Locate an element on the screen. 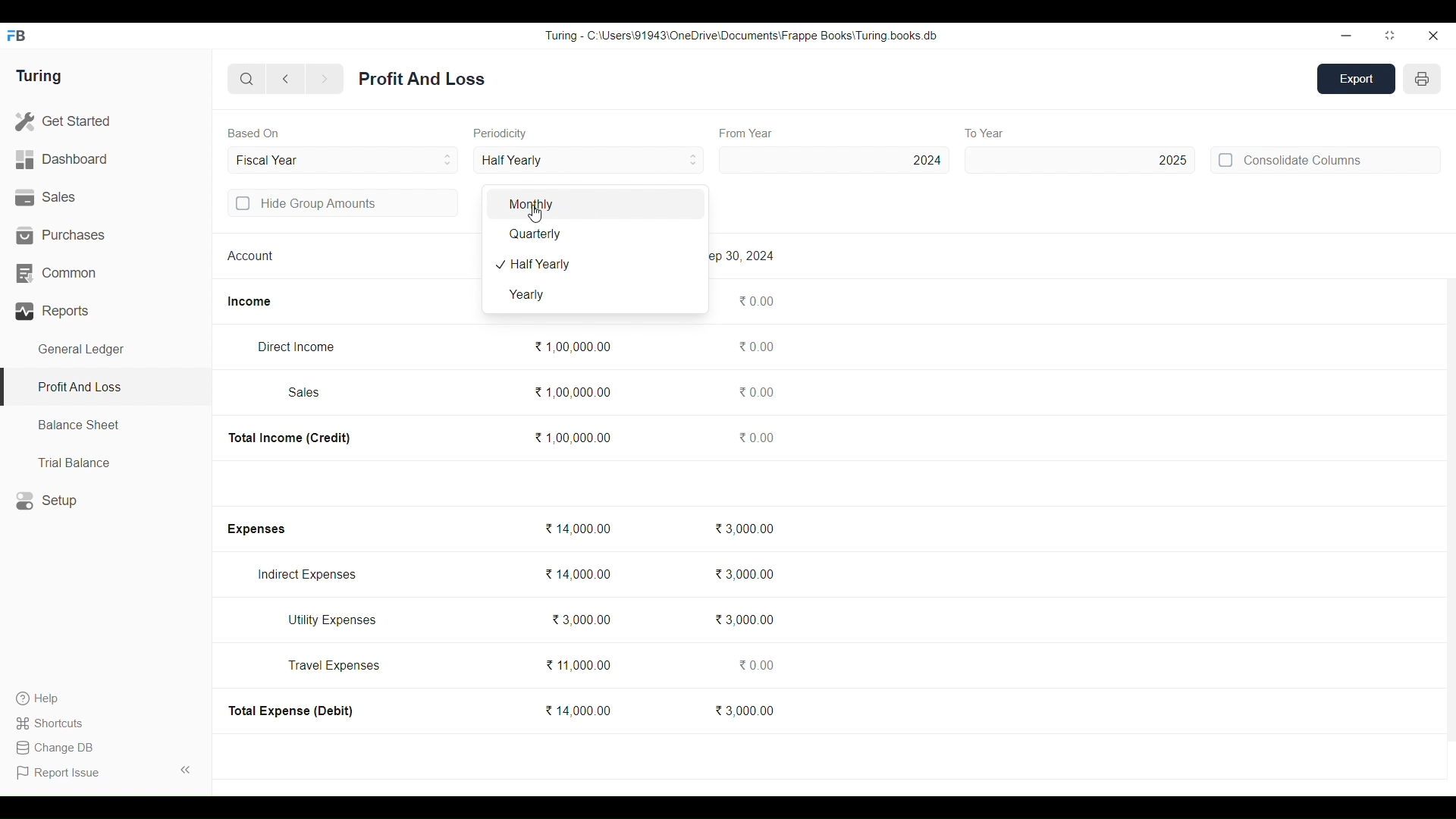 Image resolution: width=1456 pixels, height=819 pixels. Cursor is located at coordinates (535, 213).